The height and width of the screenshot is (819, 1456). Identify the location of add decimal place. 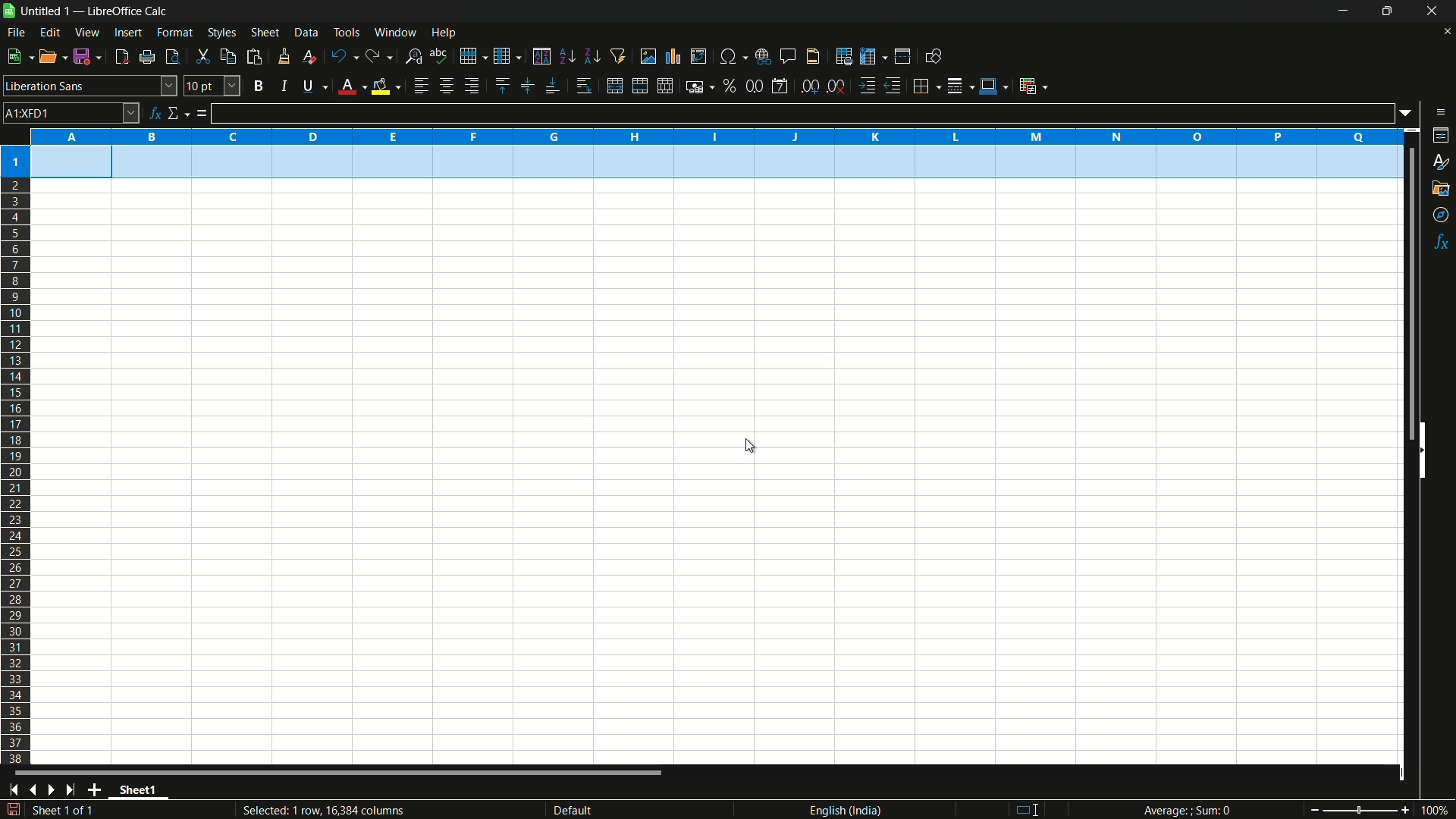
(812, 87).